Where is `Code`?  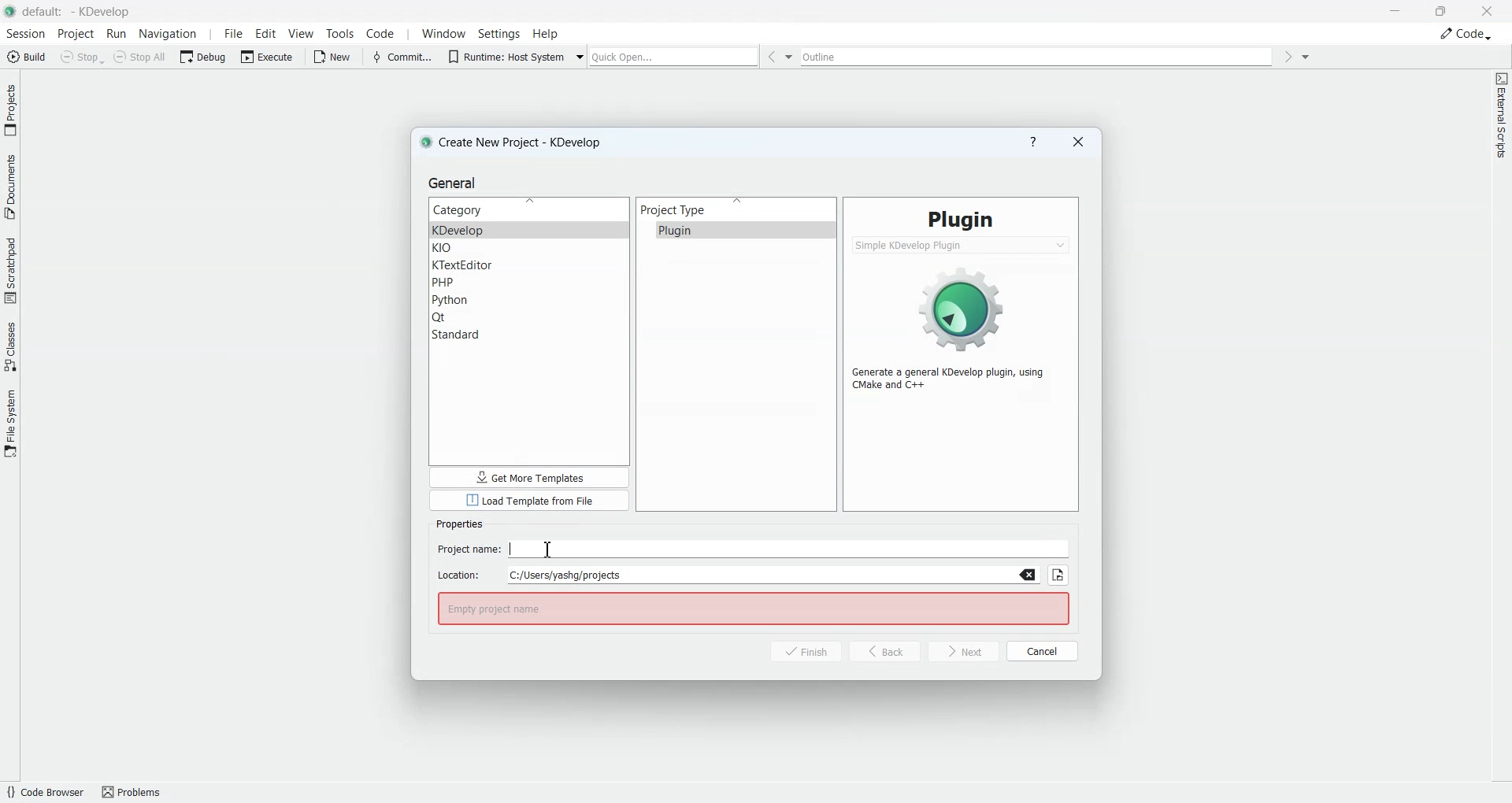 Code is located at coordinates (1466, 33).